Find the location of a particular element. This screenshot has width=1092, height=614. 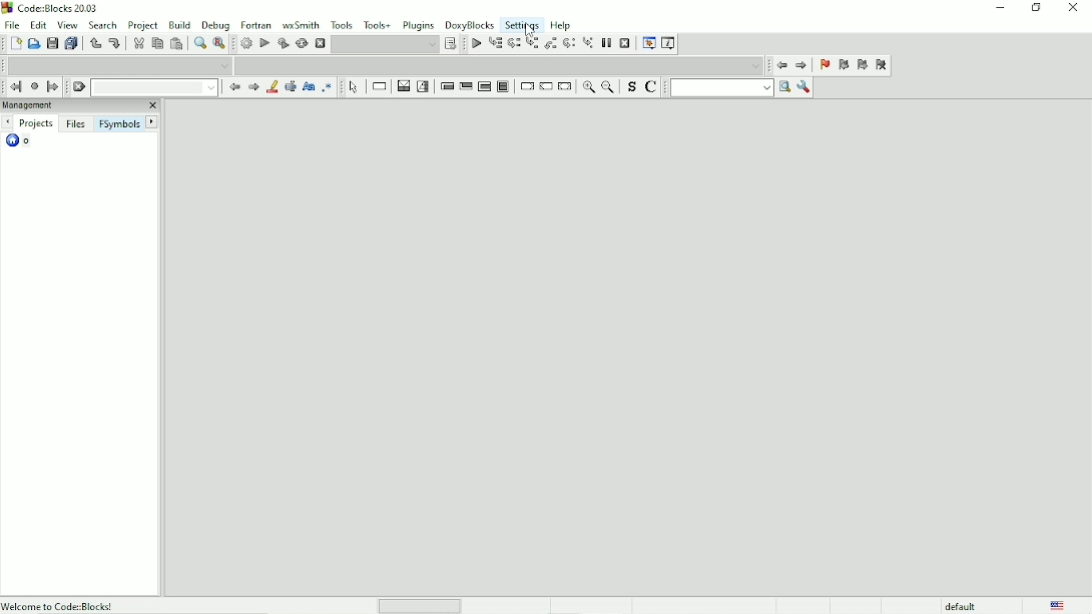

File is located at coordinates (12, 24).